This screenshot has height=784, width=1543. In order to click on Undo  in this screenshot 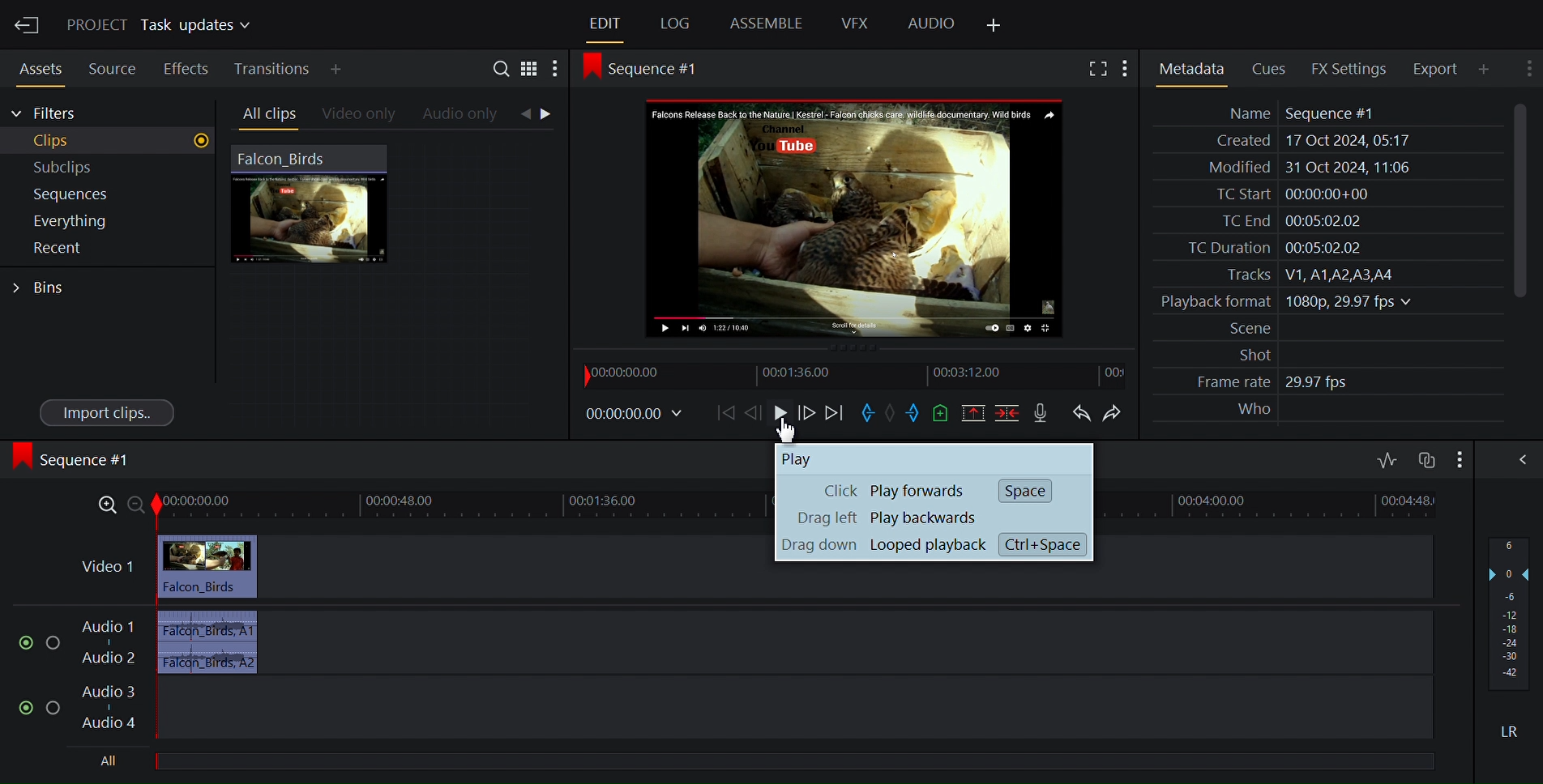, I will do `click(1082, 411)`.